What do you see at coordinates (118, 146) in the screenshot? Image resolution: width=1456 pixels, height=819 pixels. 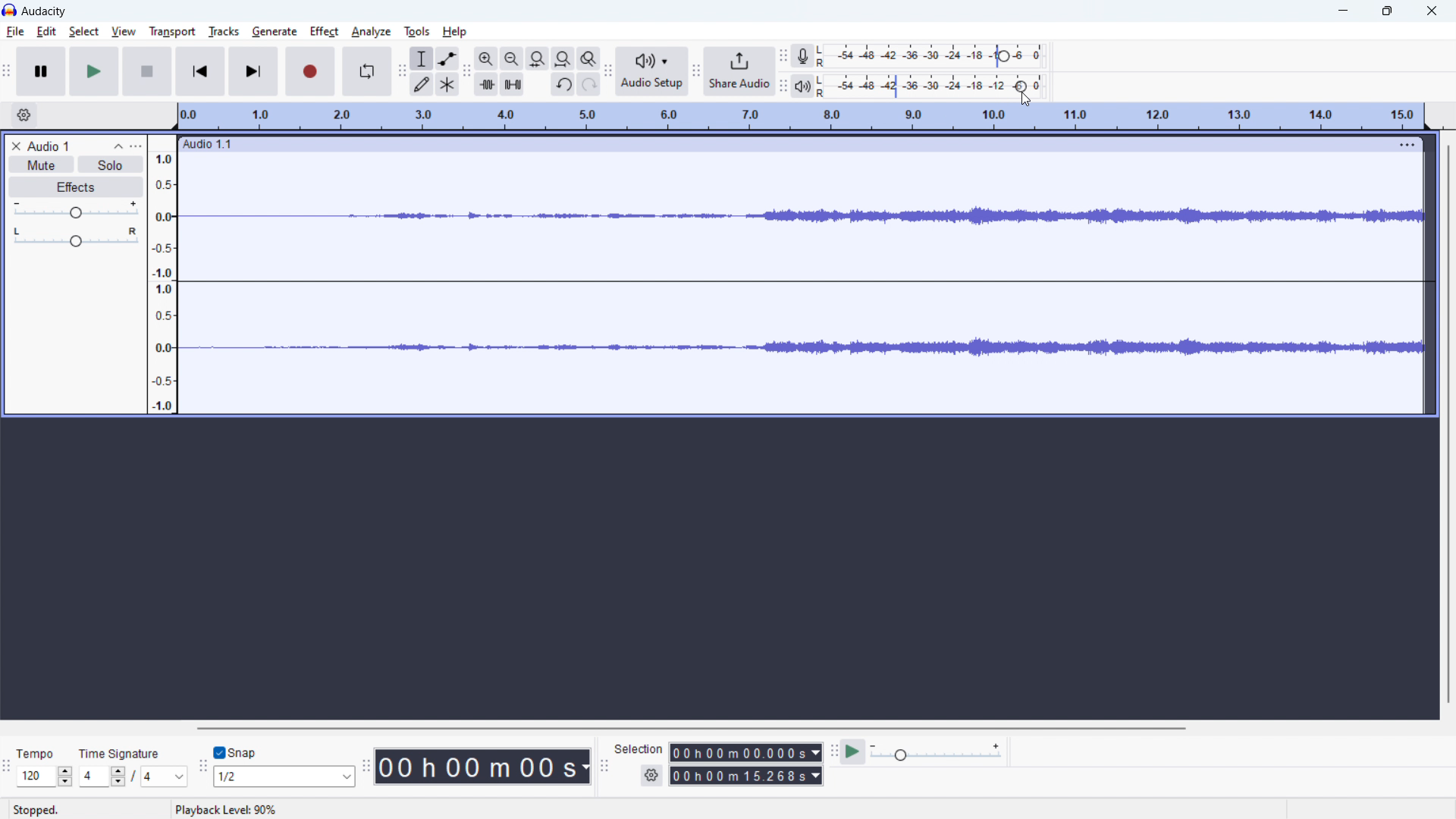 I see `collapse` at bounding box center [118, 146].